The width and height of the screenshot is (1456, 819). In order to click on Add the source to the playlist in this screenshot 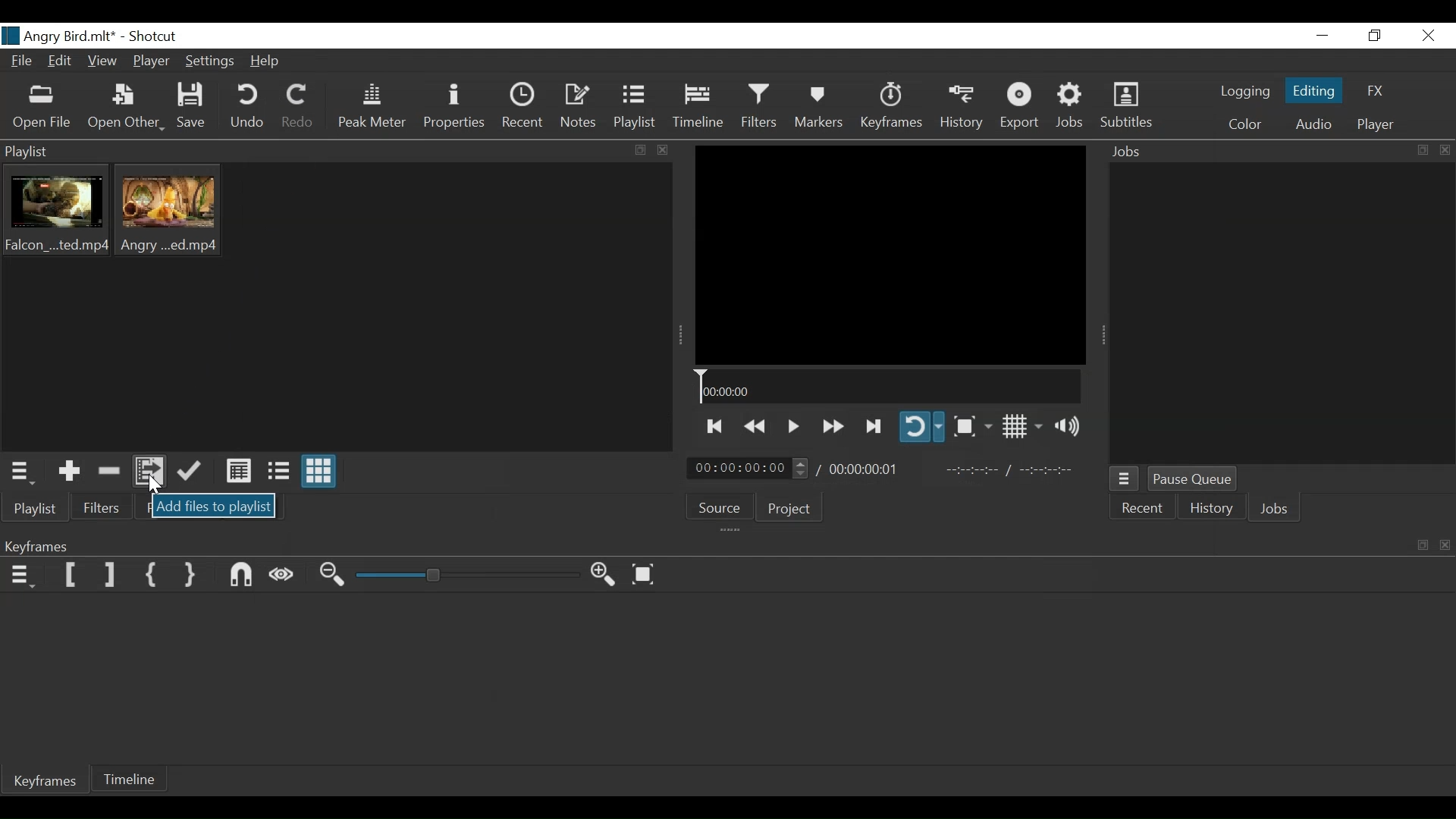, I will do `click(72, 470)`.